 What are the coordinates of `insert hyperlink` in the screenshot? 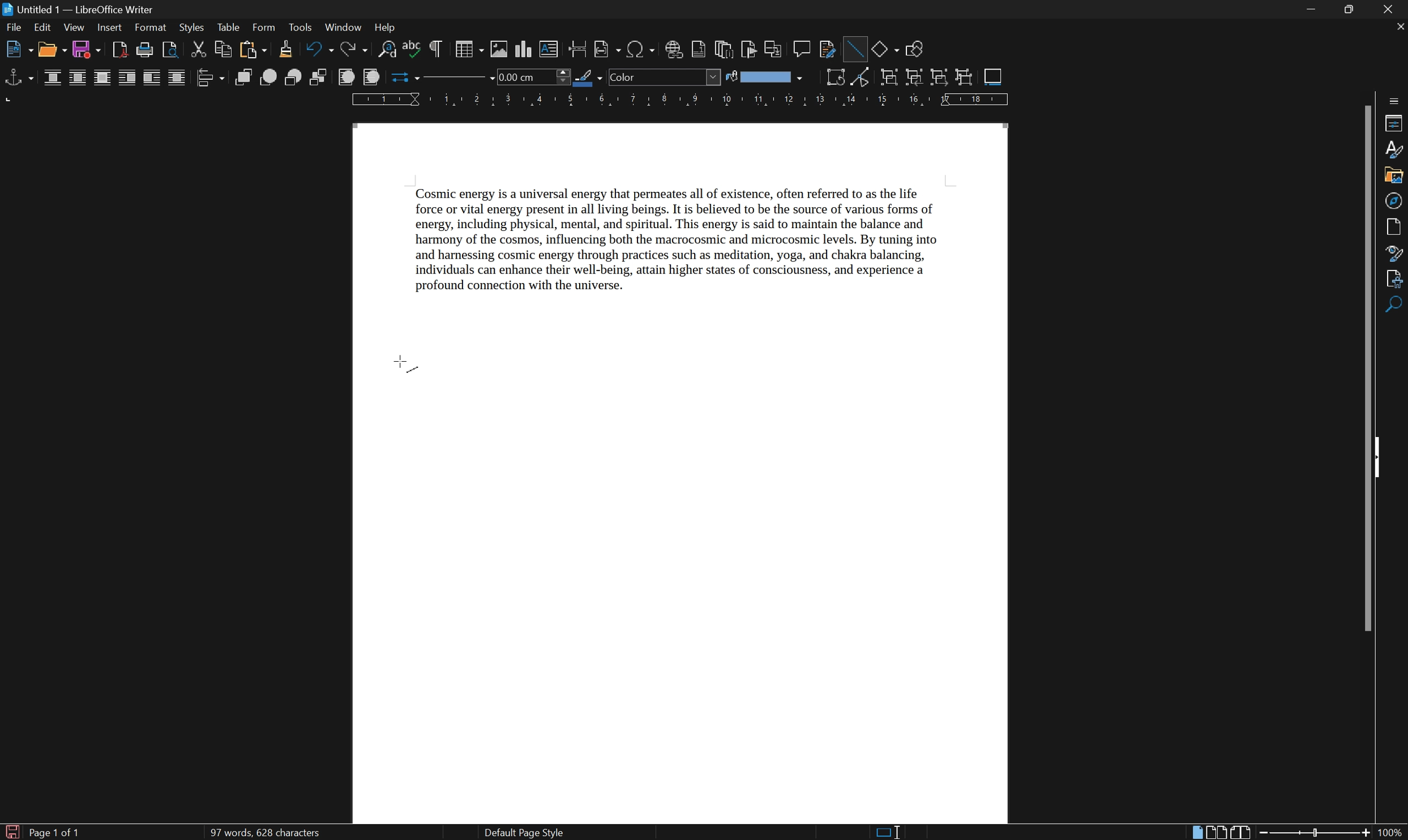 It's located at (674, 49).